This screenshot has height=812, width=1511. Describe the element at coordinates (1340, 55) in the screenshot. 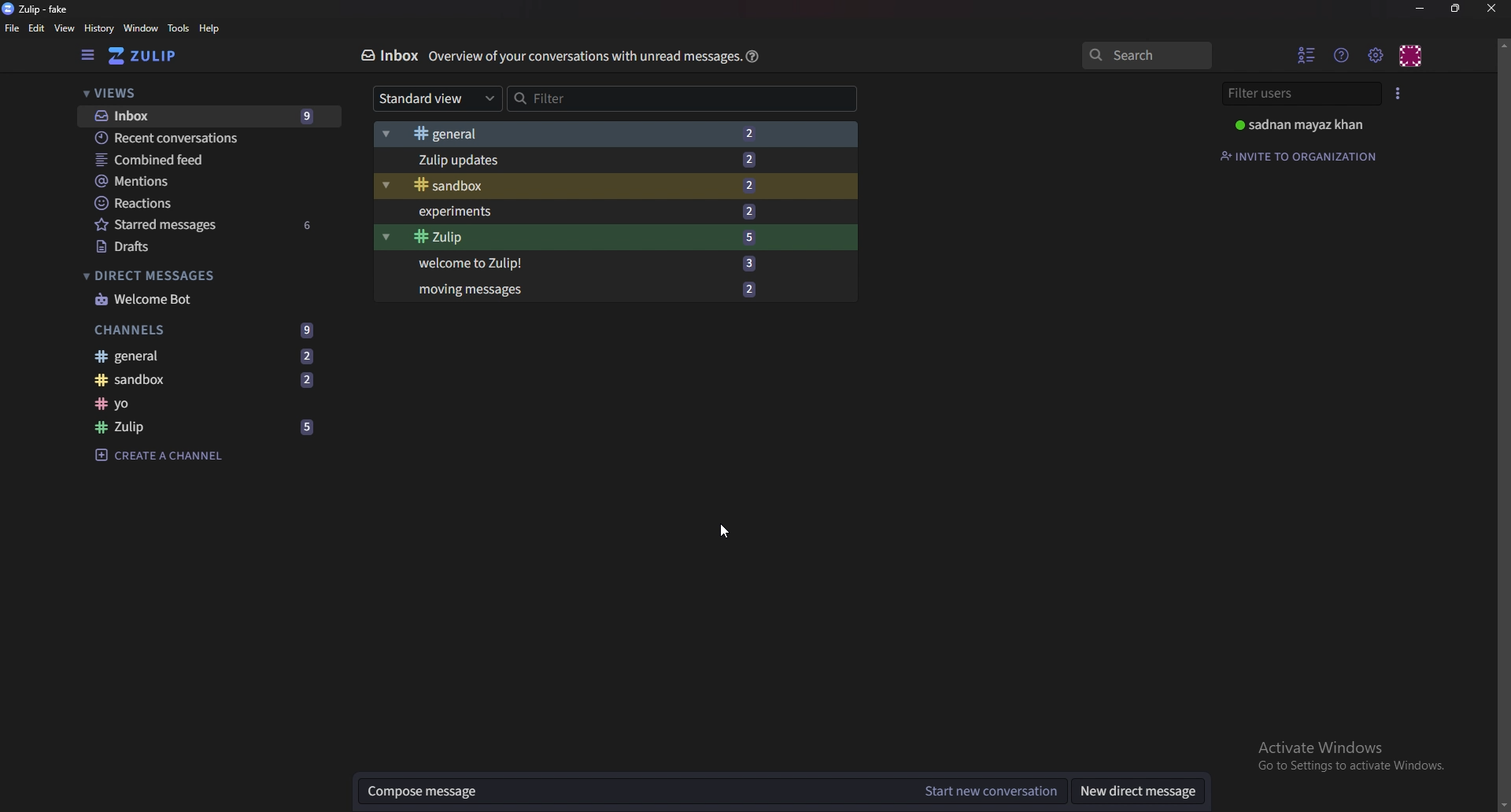

I see `Help menu` at that location.